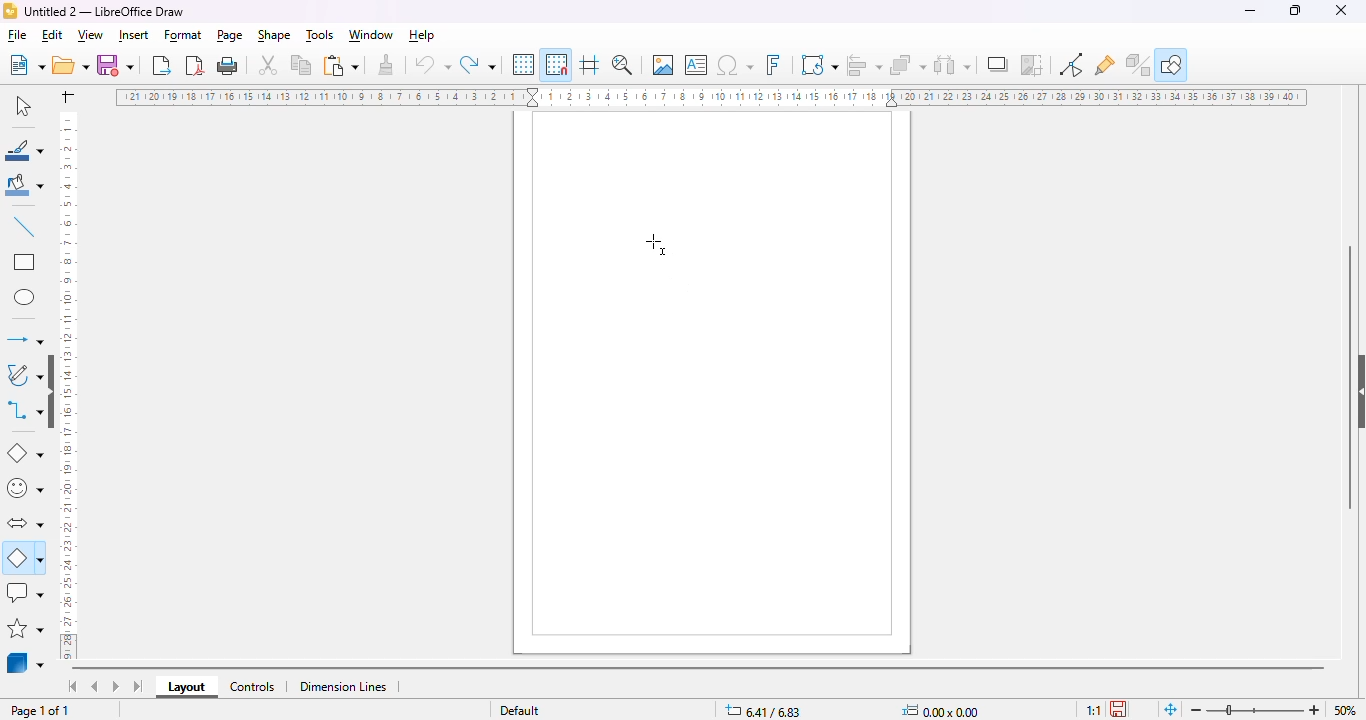 The width and height of the screenshot is (1366, 720). I want to click on align objects, so click(865, 64).